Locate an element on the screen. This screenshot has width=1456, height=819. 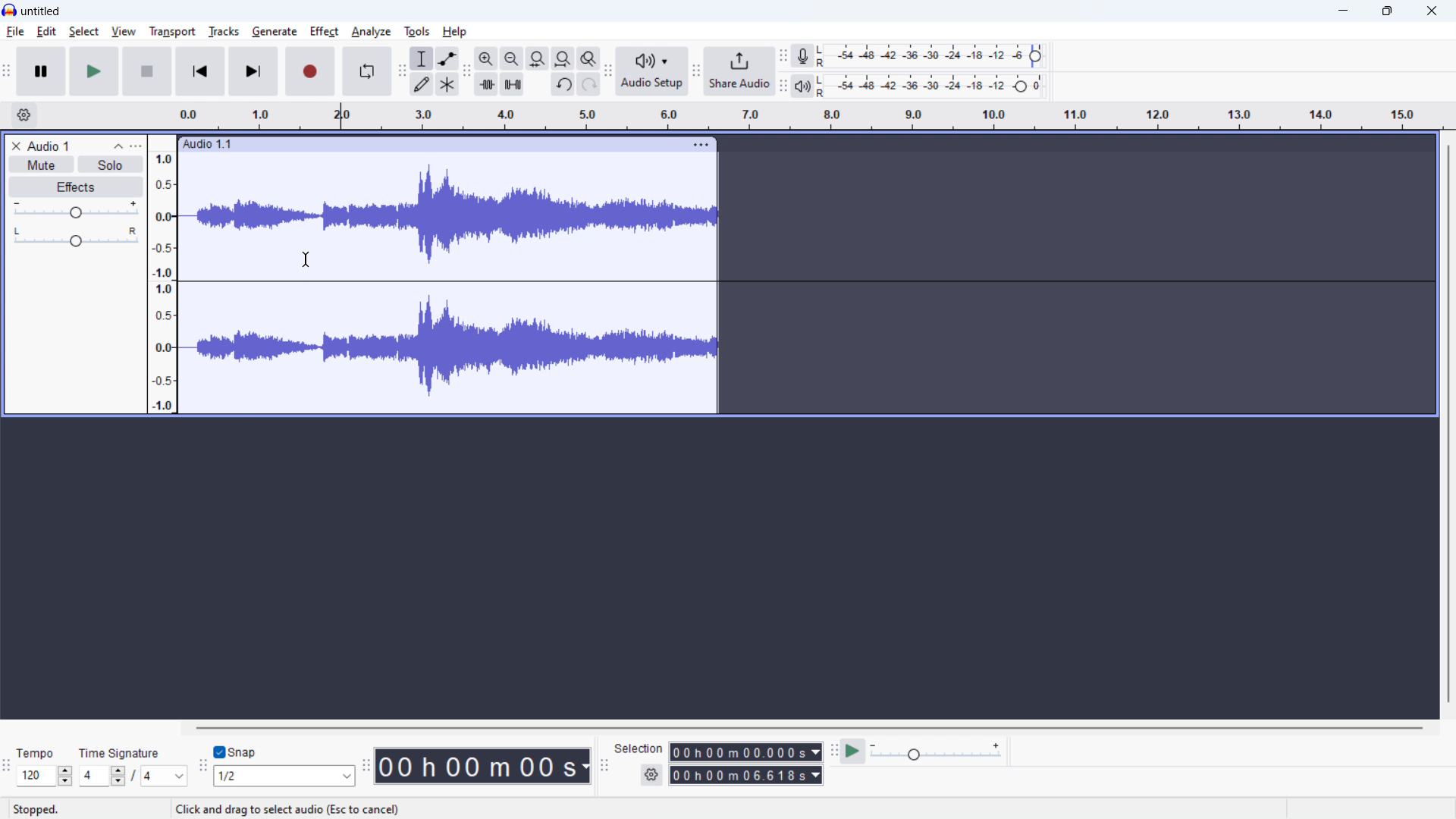
recording meter is located at coordinates (803, 55).